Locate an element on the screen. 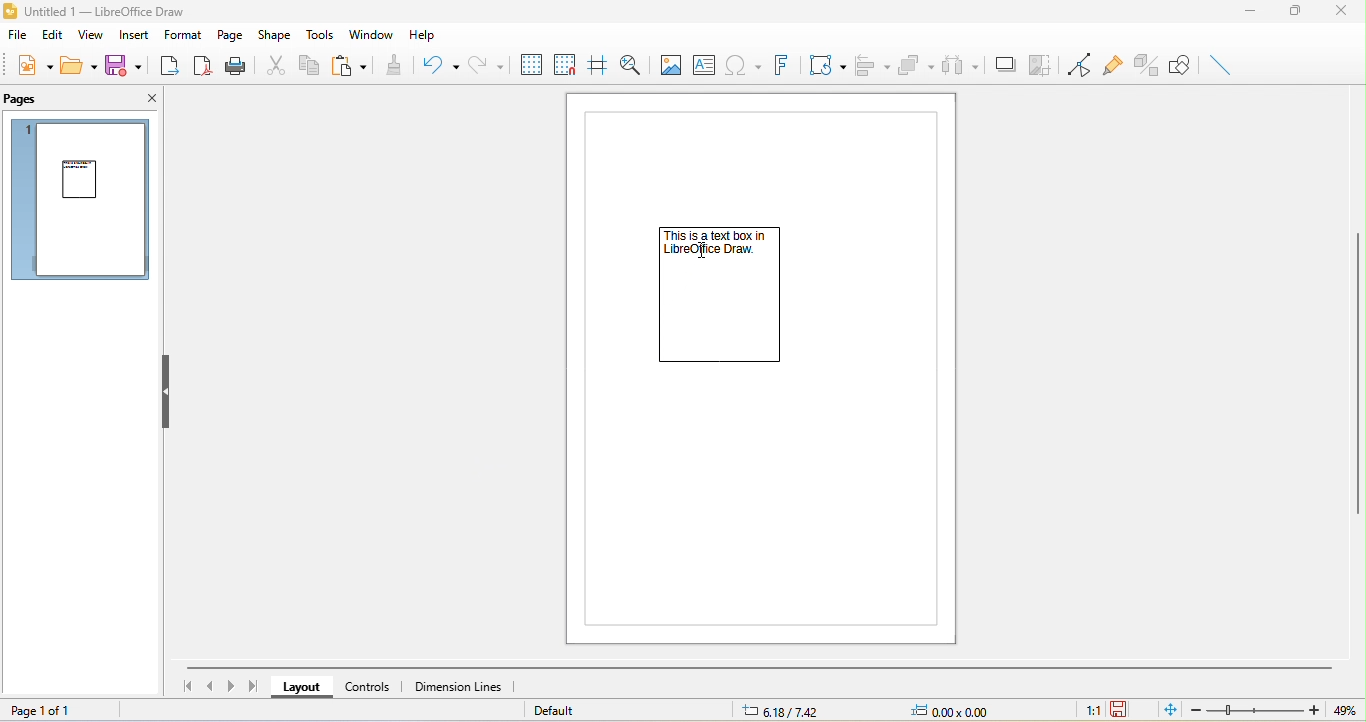 This screenshot has height=722, width=1366. cut is located at coordinates (274, 64).